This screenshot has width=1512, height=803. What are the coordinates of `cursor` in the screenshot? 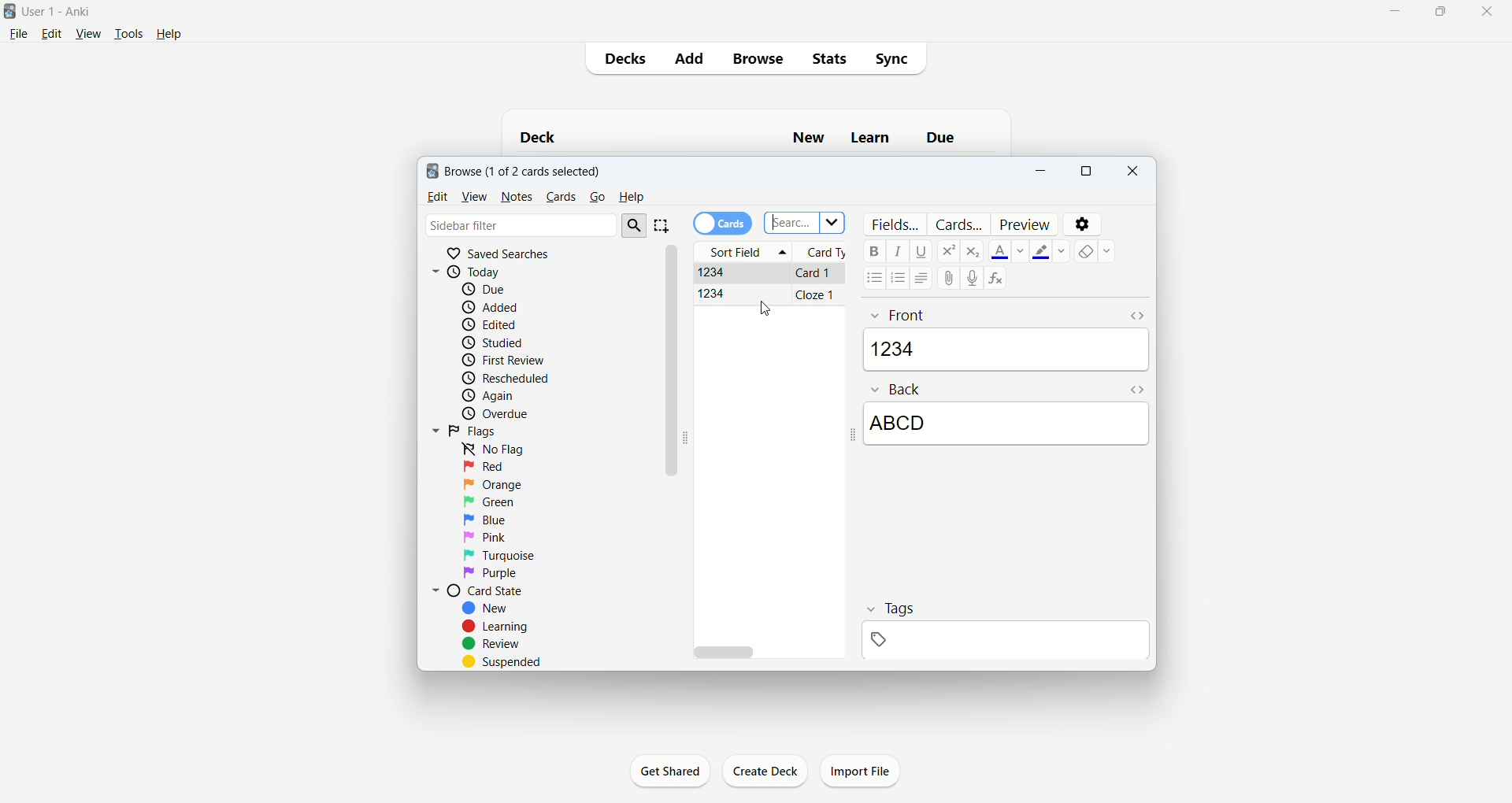 It's located at (765, 309).